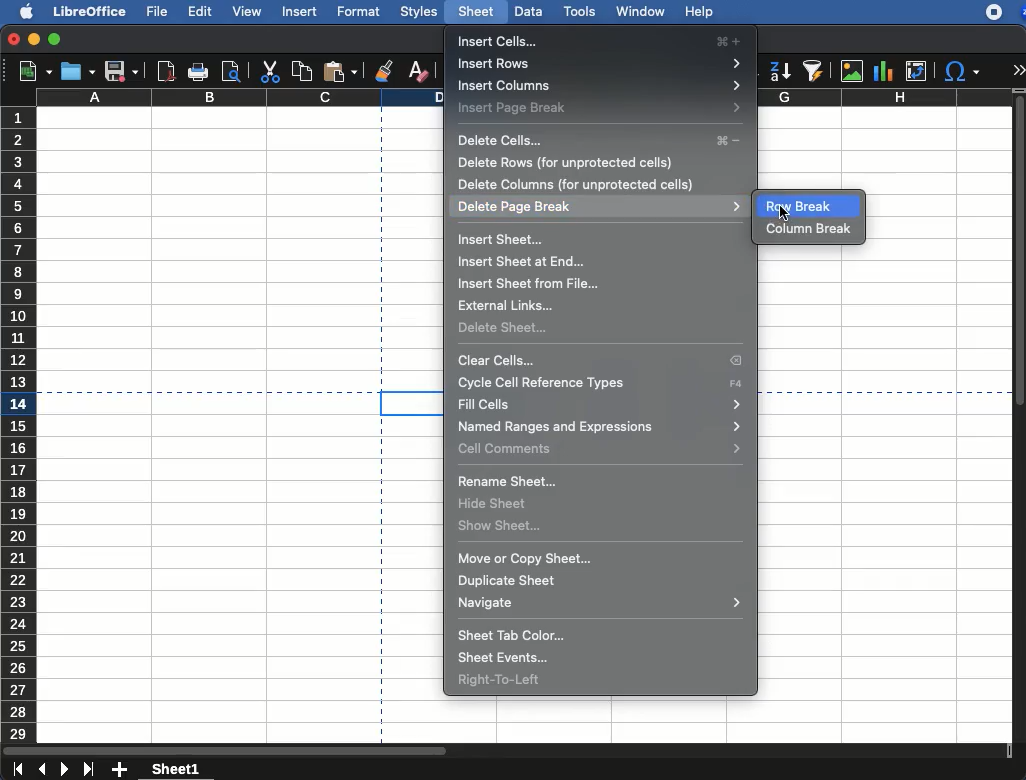 The height and width of the screenshot is (780, 1026). Describe the element at coordinates (242, 98) in the screenshot. I see `column` at that location.